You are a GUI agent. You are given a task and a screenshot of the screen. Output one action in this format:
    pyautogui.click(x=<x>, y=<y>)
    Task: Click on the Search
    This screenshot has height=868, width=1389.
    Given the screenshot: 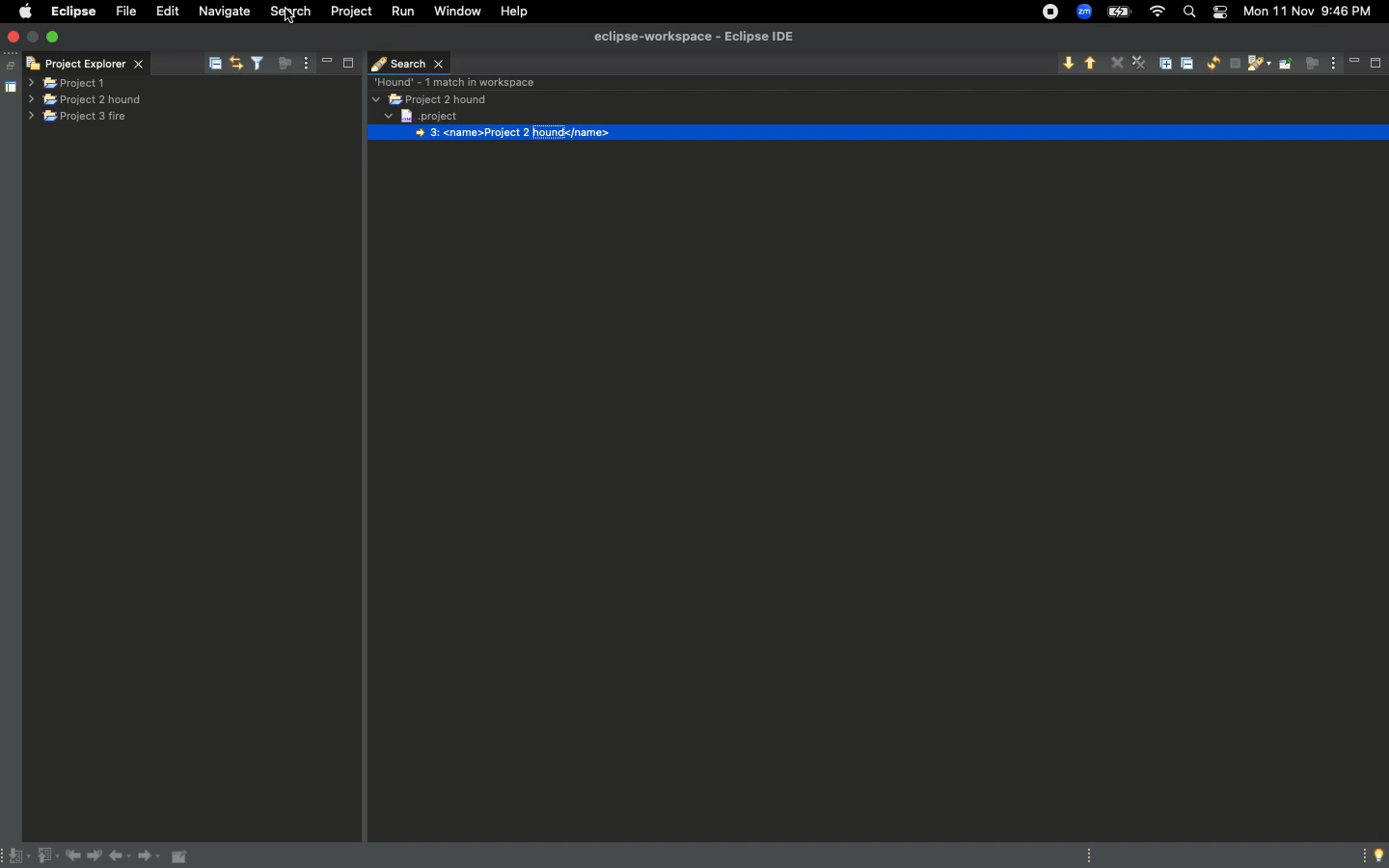 What is the action you would take?
    pyautogui.click(x=292, y=14)
    